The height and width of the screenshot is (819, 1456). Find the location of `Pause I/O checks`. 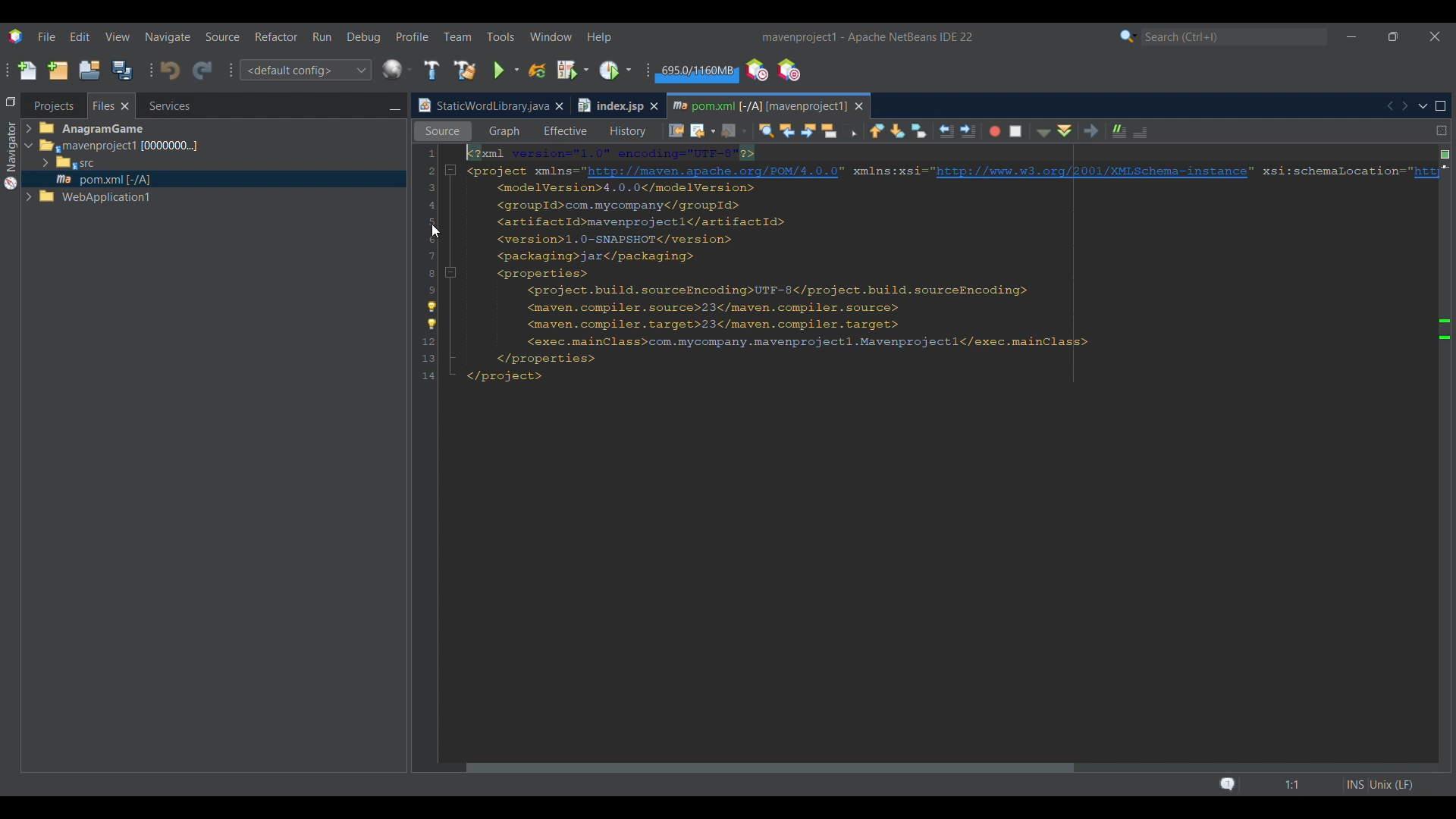

Pause I/O checks is located at coordinates (788, 70).